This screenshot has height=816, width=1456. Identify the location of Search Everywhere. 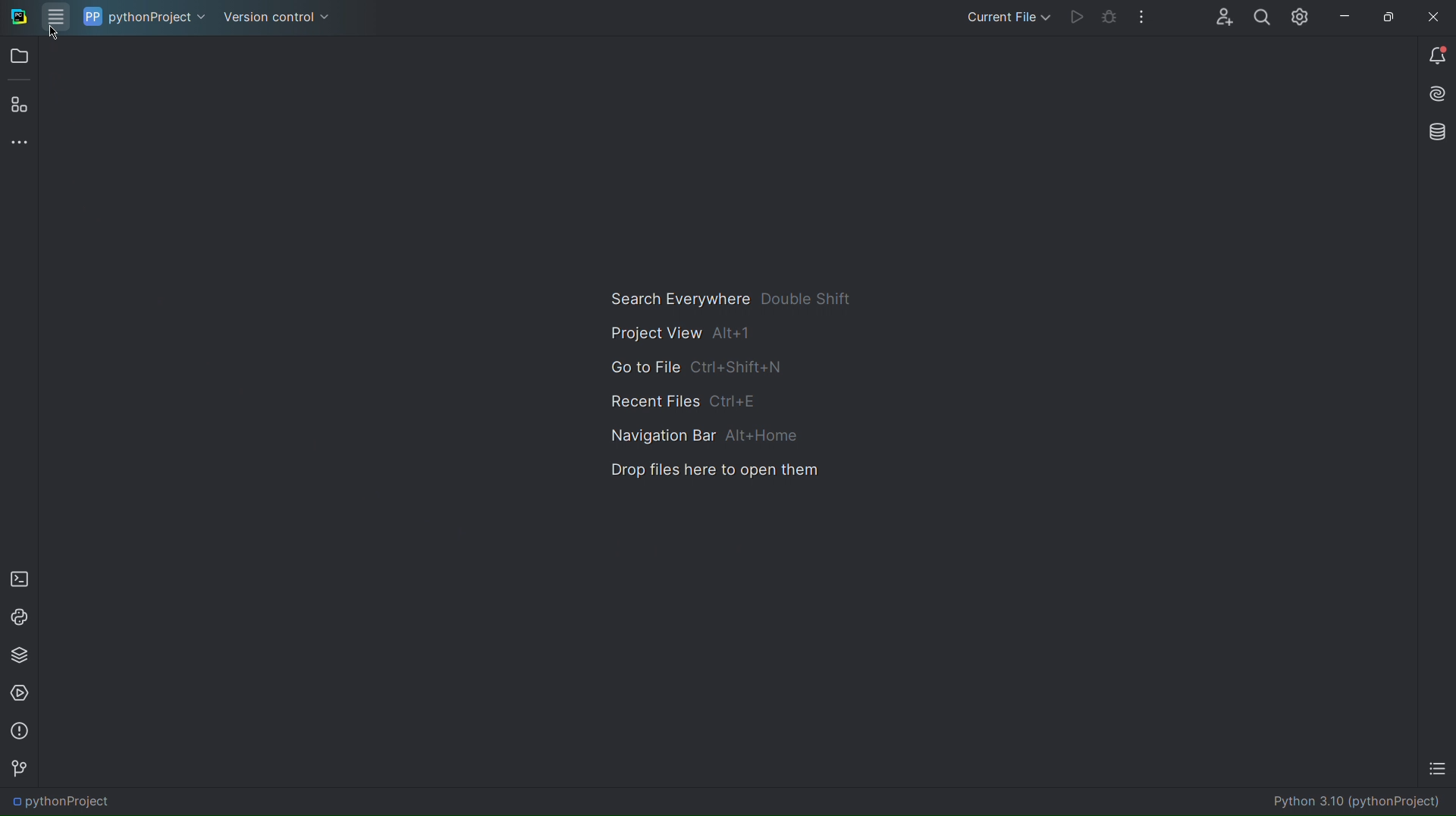
(729, 297).